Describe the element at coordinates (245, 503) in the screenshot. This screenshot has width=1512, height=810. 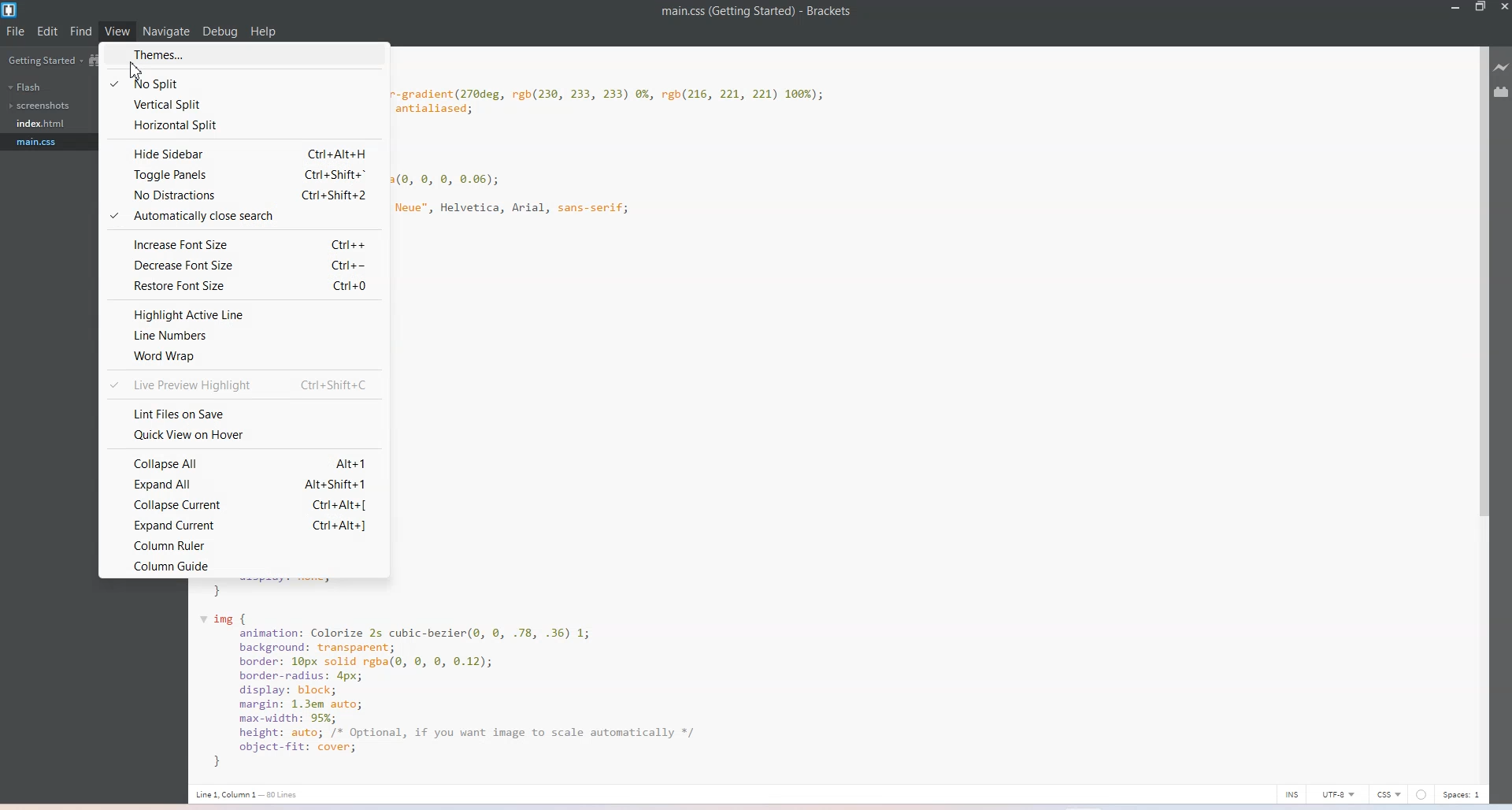
I see `Collapse current` at that location.